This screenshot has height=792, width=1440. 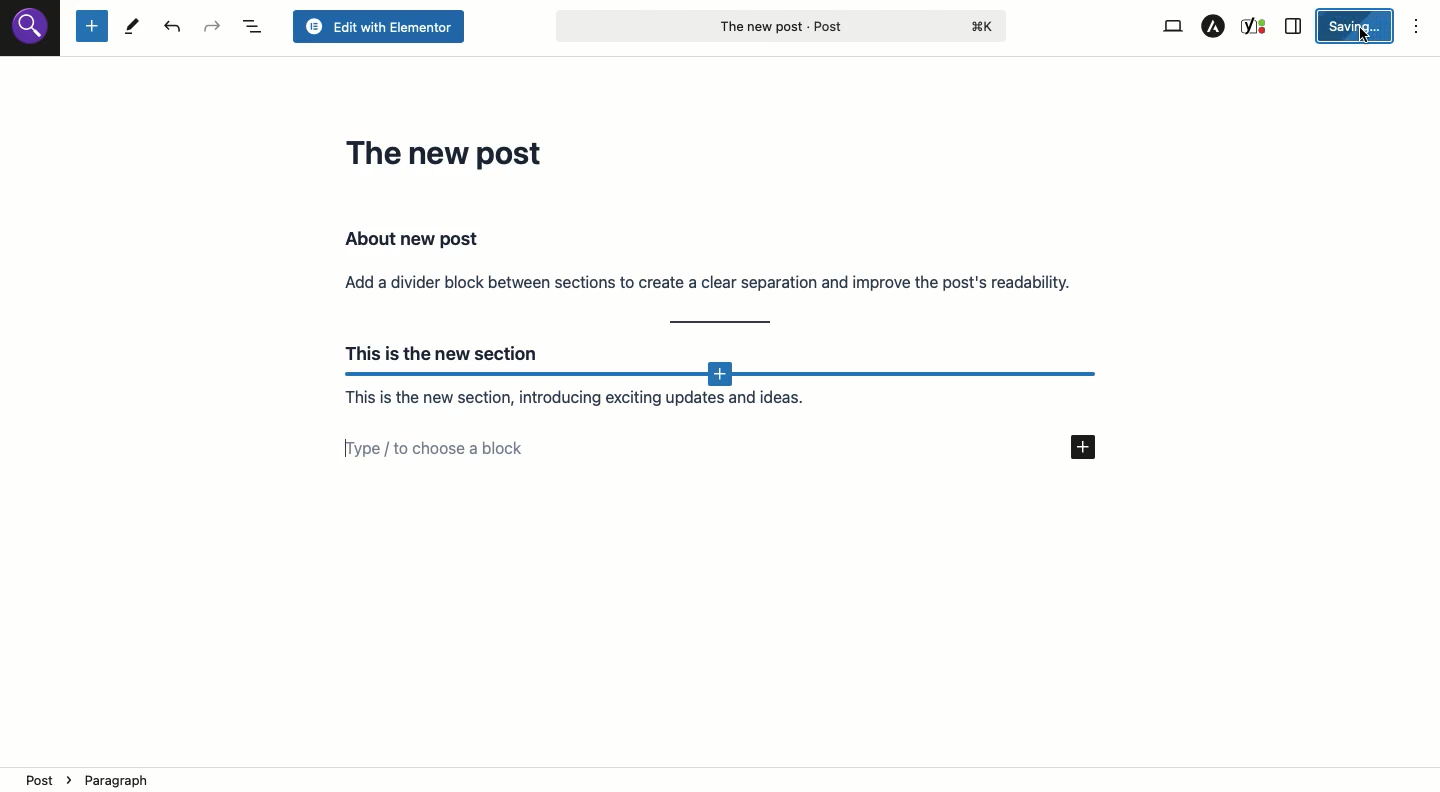 I want to click on Separator, so click(x=722, y=323).